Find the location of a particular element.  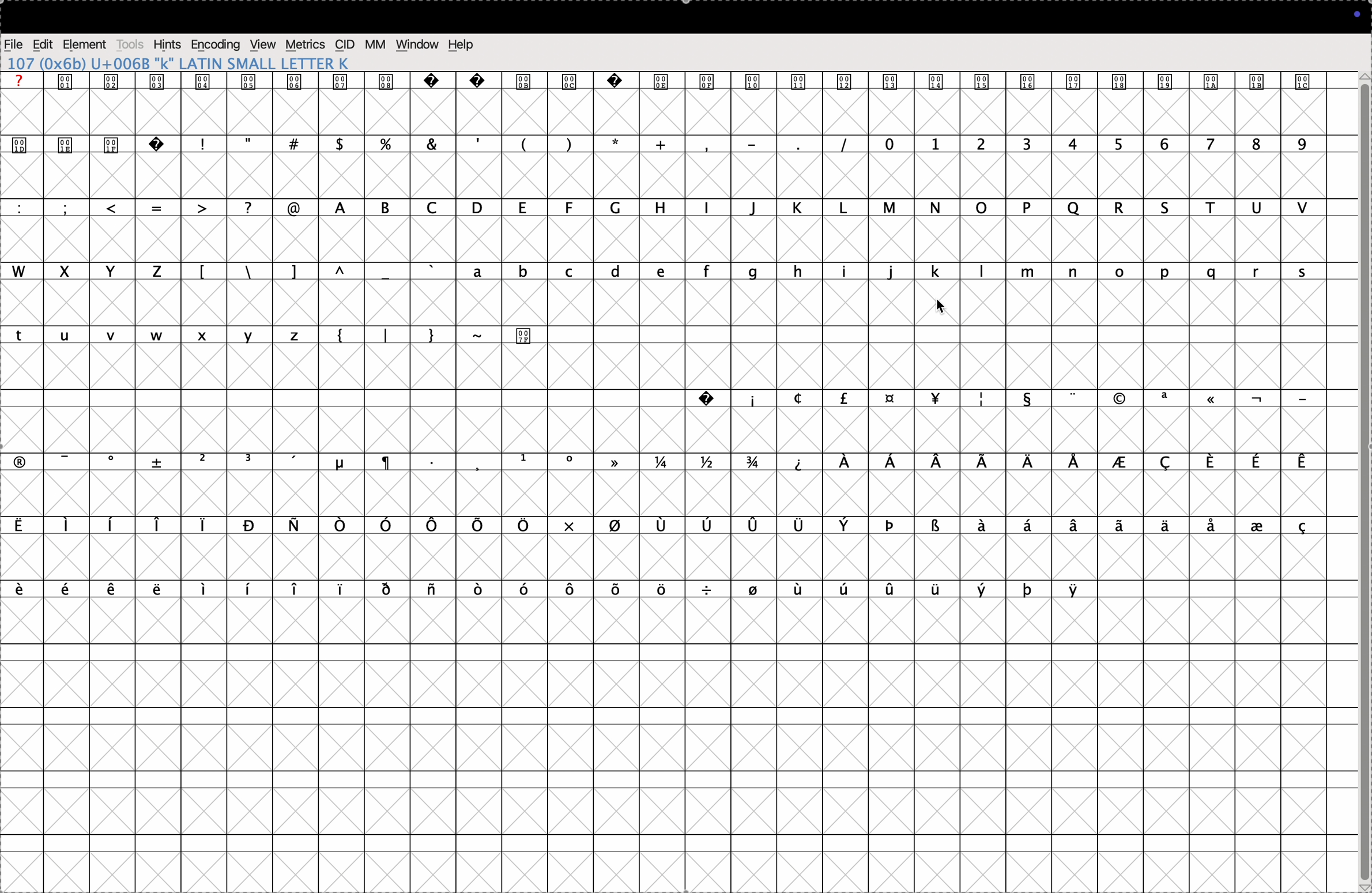

E is located at coordinates (1254, 459).